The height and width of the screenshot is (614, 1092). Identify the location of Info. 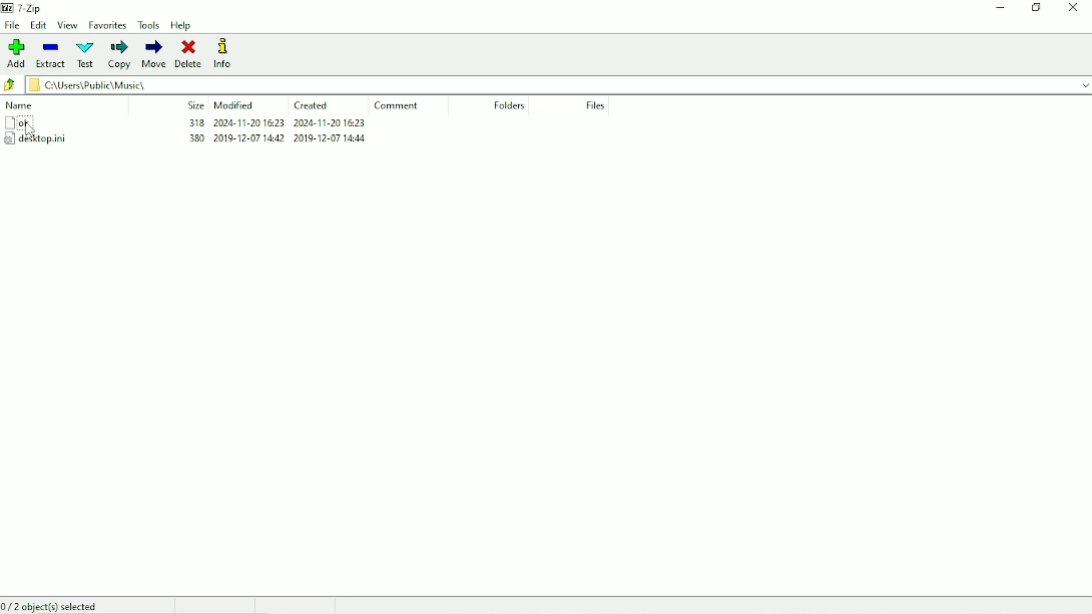
(225, 53).